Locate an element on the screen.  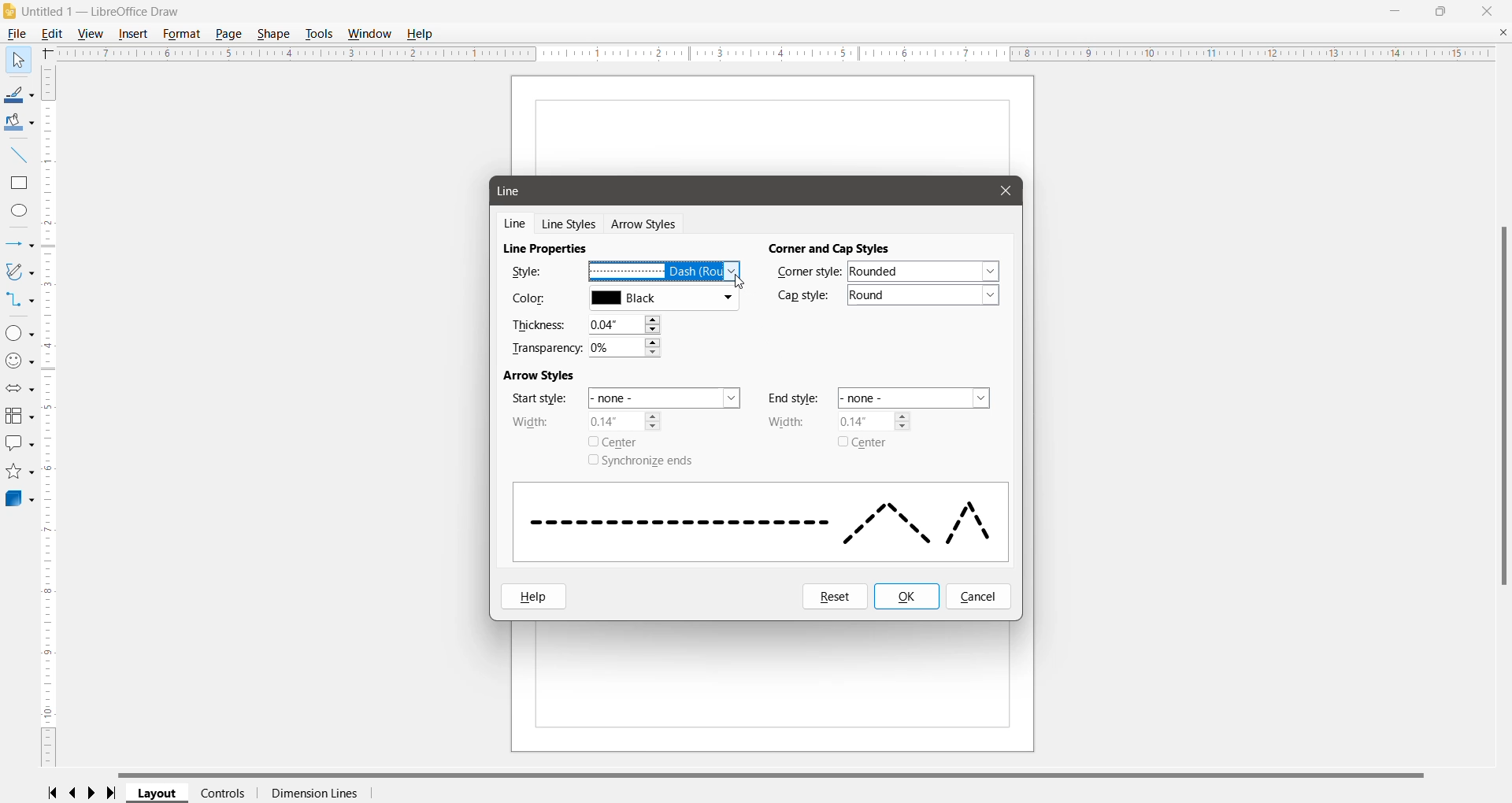
Shape is located at coordinates (275, 35).